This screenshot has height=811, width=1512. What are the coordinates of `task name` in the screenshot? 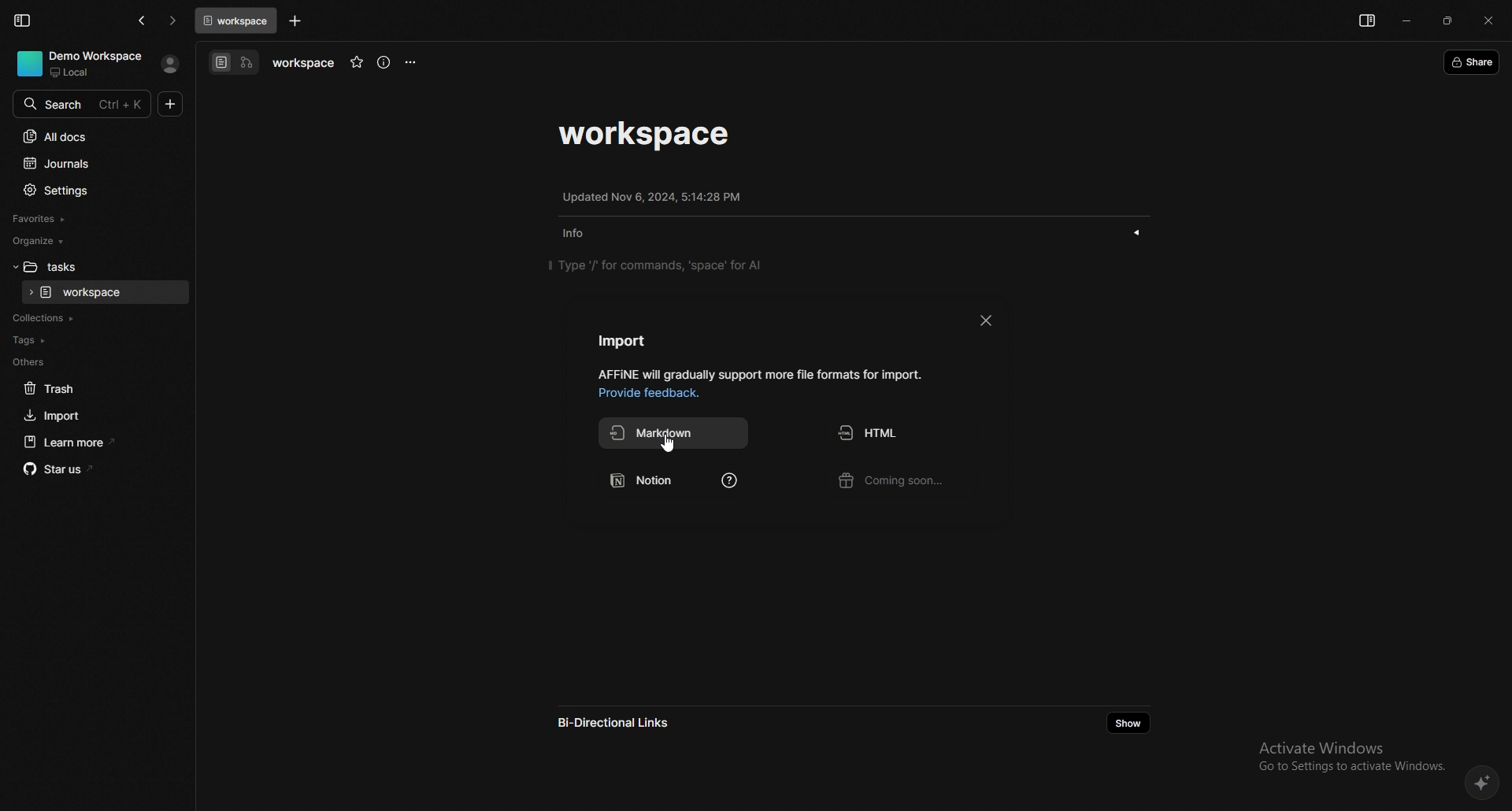 It's located at (647, 135).